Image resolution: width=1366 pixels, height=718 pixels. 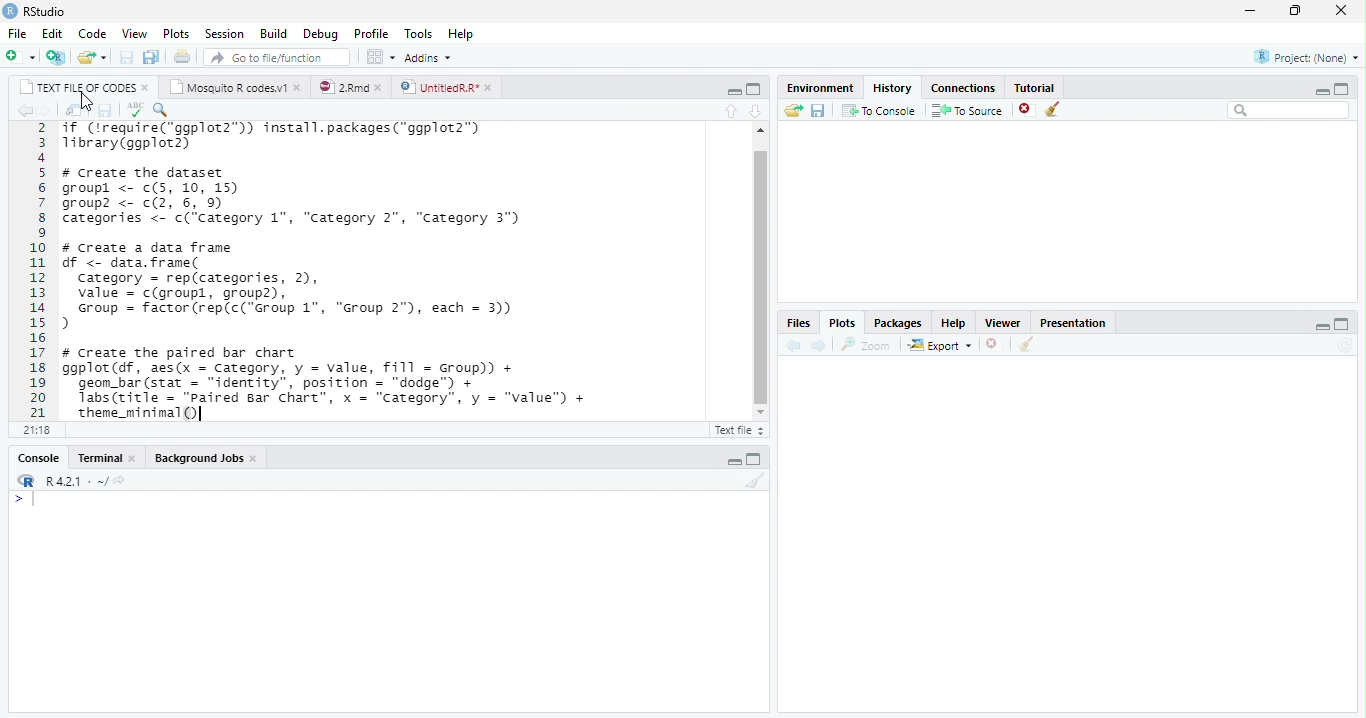 I want to click on find and replace , so click(x=162, y=110).